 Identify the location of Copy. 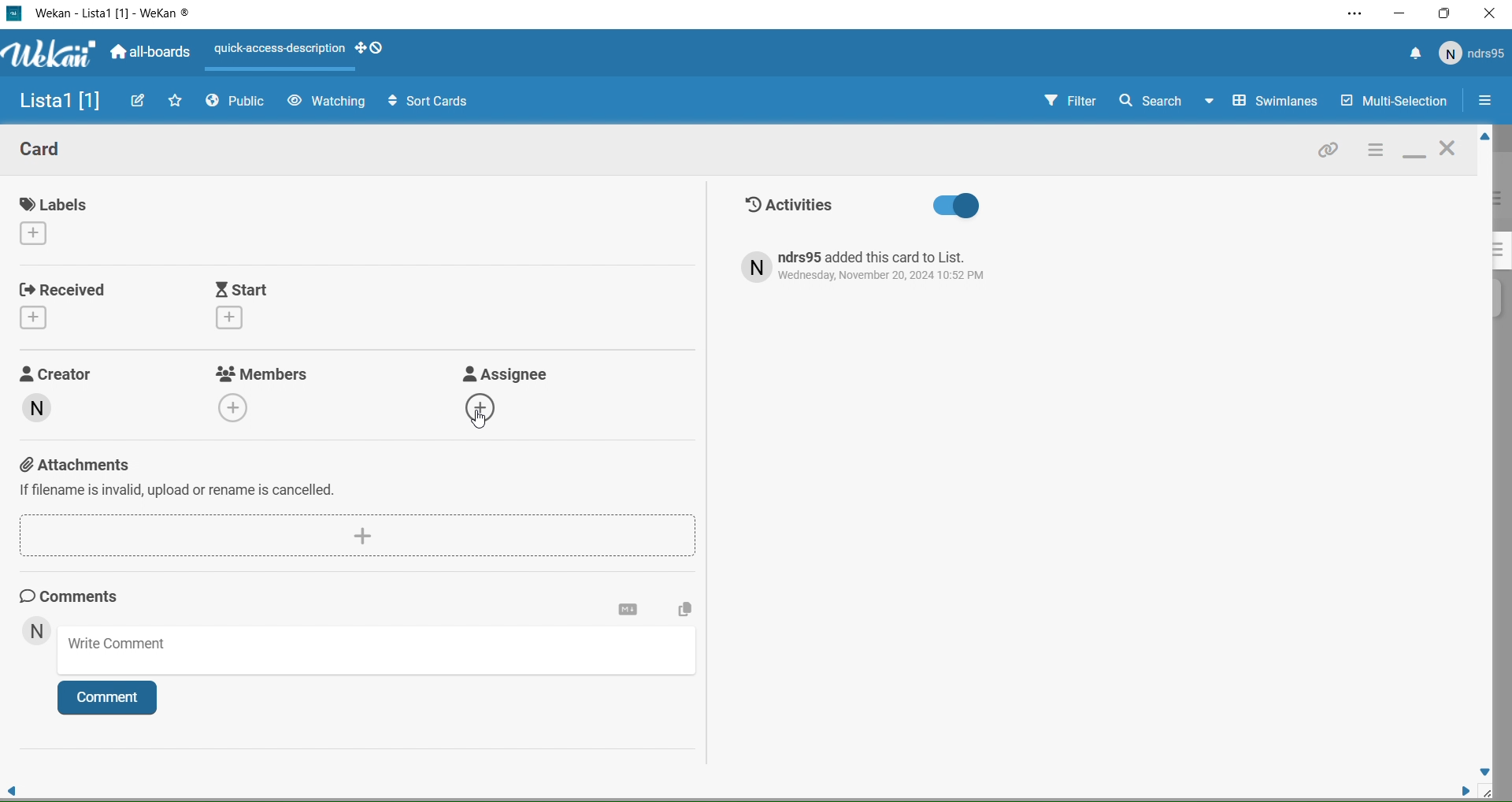
(682, 611).